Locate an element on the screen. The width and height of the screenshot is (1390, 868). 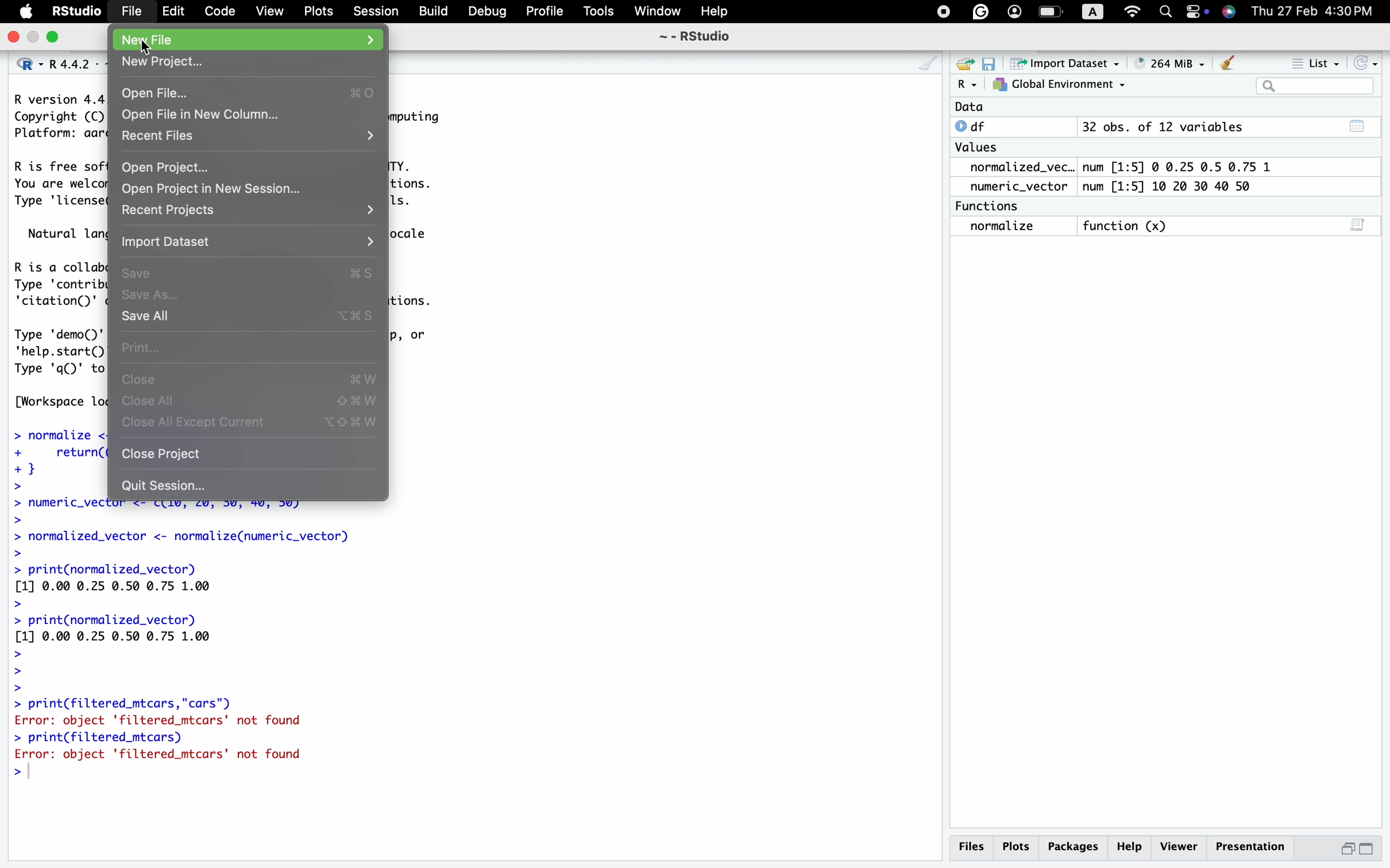
R is free sof
You are welcor
Type 'licensel is located at coordinates (57, 186).